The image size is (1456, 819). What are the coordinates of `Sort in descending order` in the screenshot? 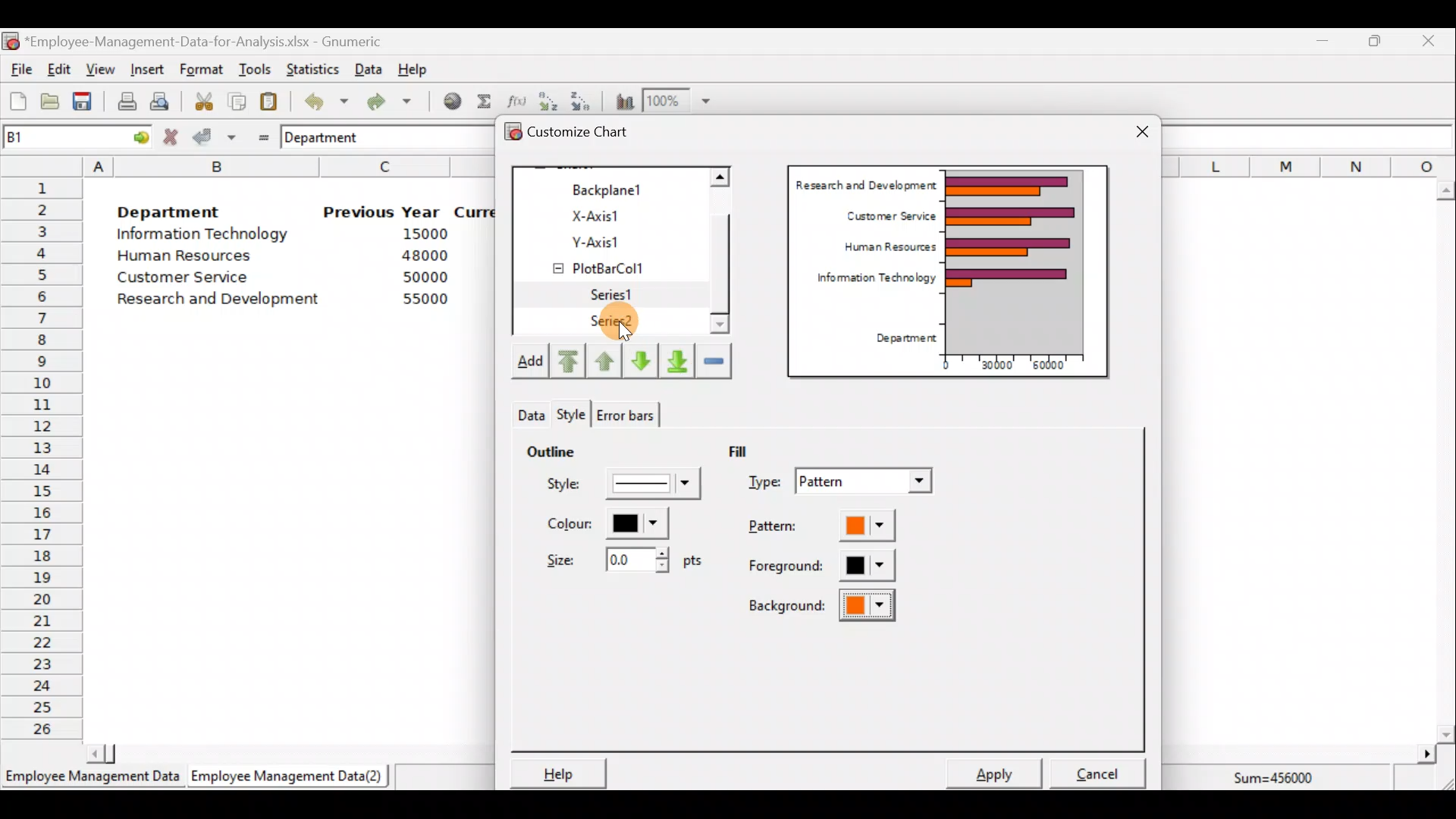 It's located at (582, 100).